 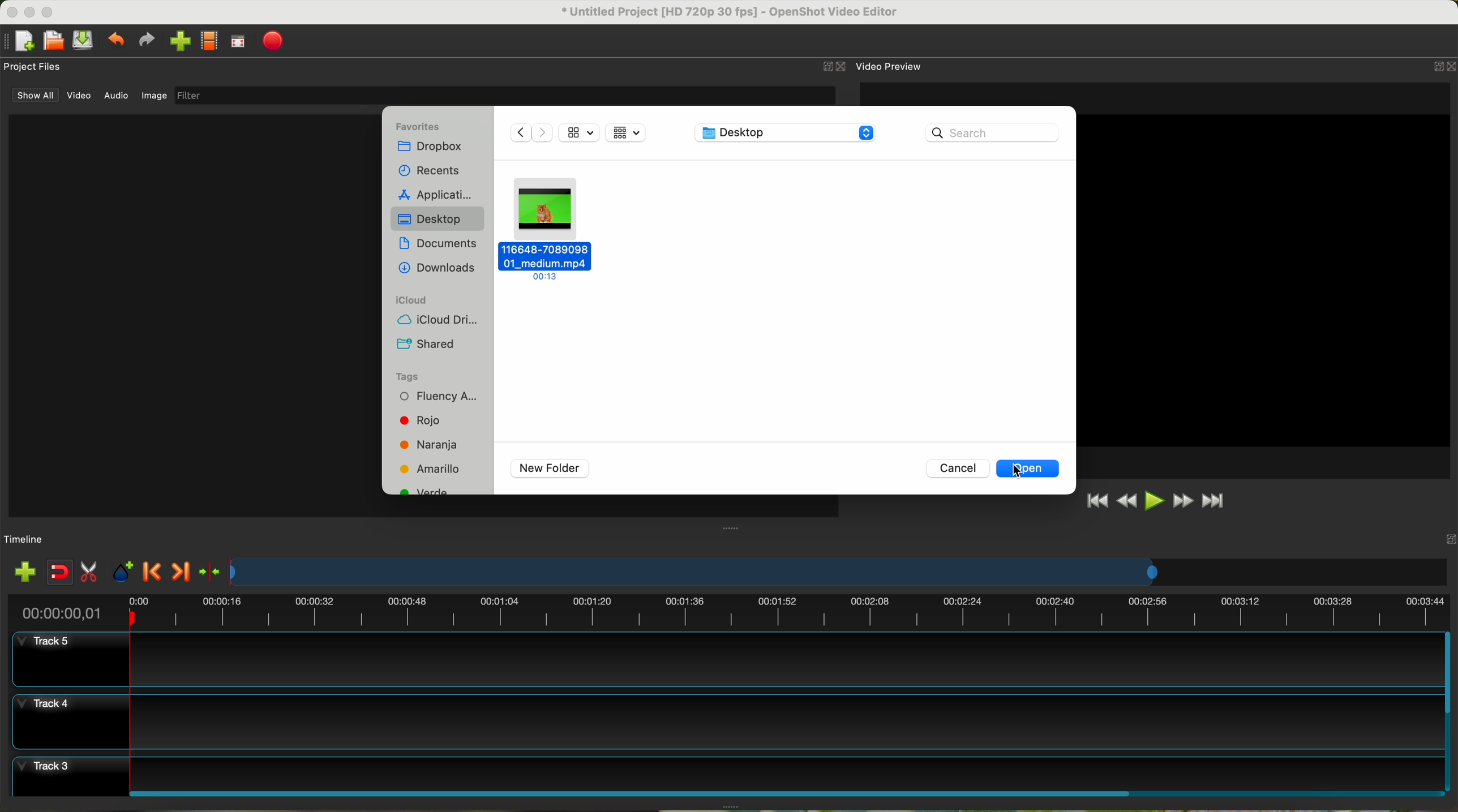 I want to click on rewind, so click(x=1128, y=501).